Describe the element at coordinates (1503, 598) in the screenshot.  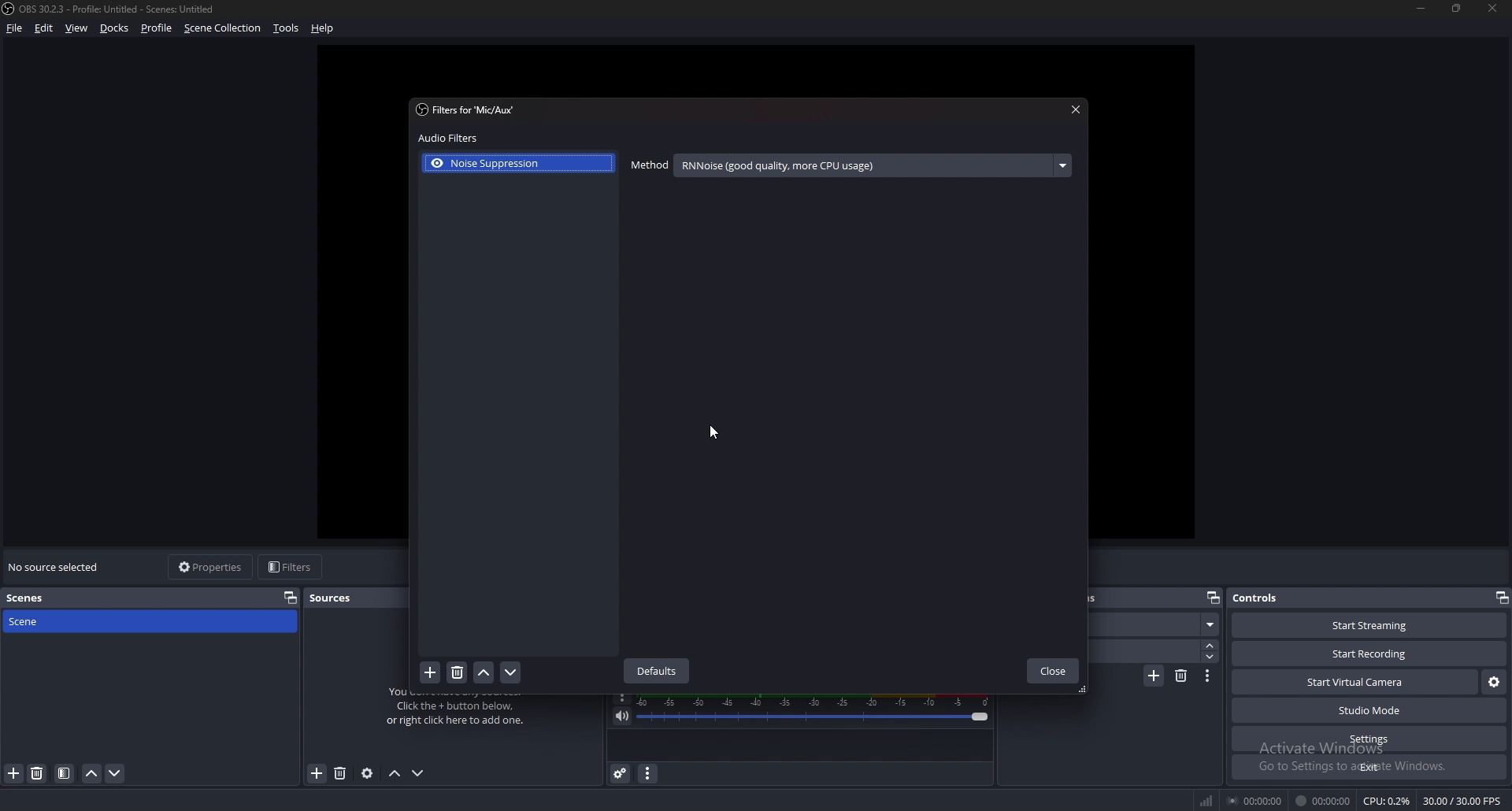
I see `pop out` at that location.